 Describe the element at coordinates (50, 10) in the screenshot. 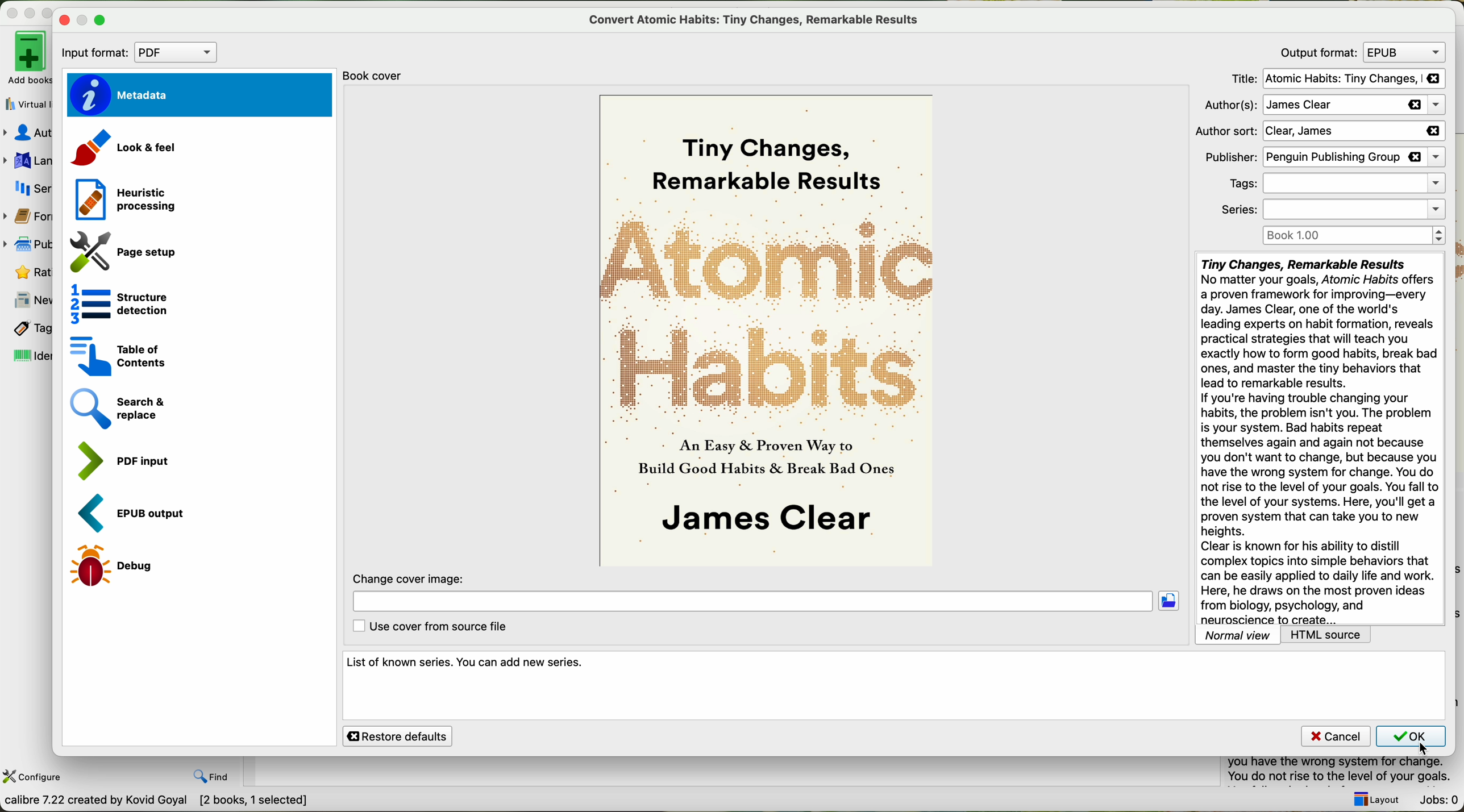

I see `maximize` at that location.